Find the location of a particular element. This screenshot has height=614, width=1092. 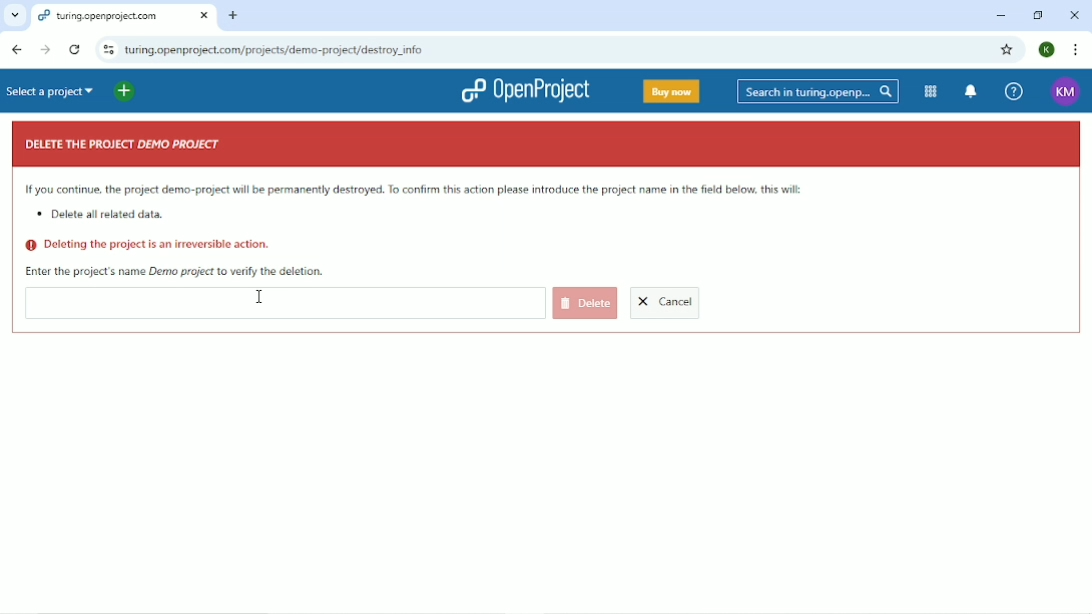

OpenProject is located at coordinates (525, 90).